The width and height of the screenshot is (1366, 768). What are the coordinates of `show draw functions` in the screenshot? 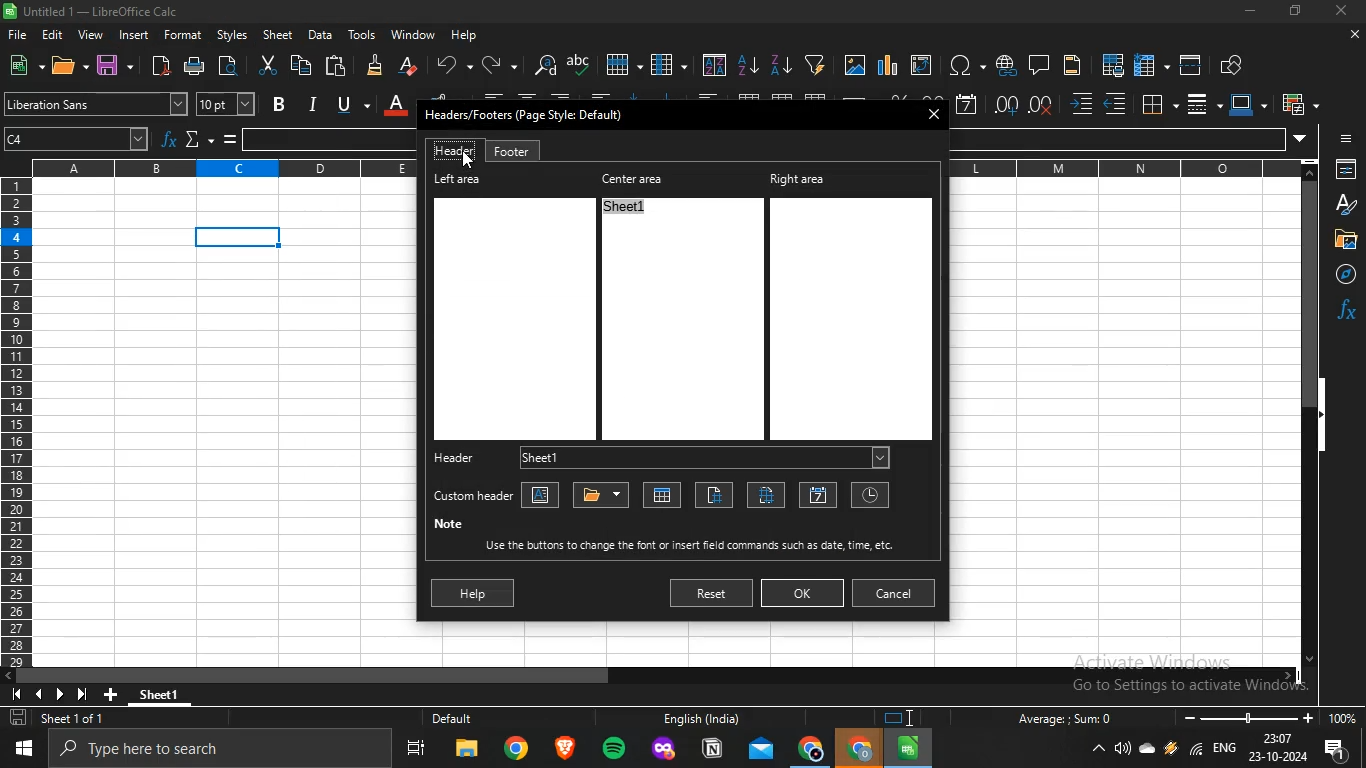 It's located at (1233, 63).